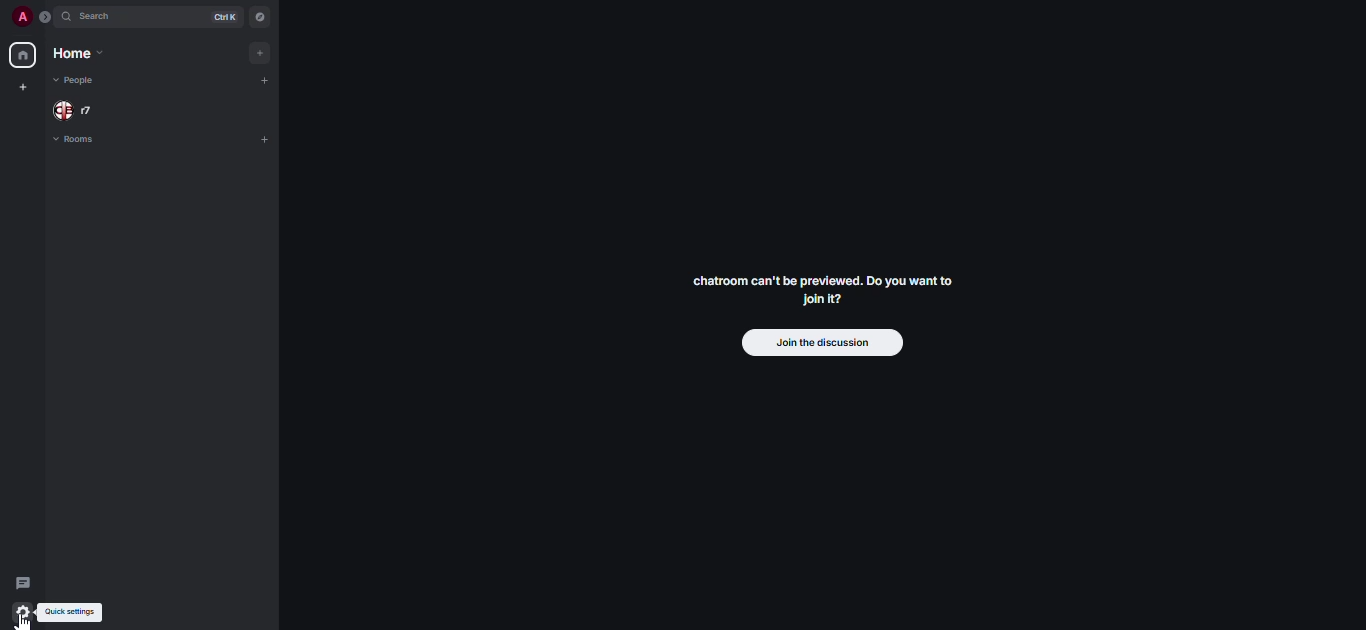  Describe the element at coordinates (71, 612) in the screenshot. I see `quick settings` at that location.